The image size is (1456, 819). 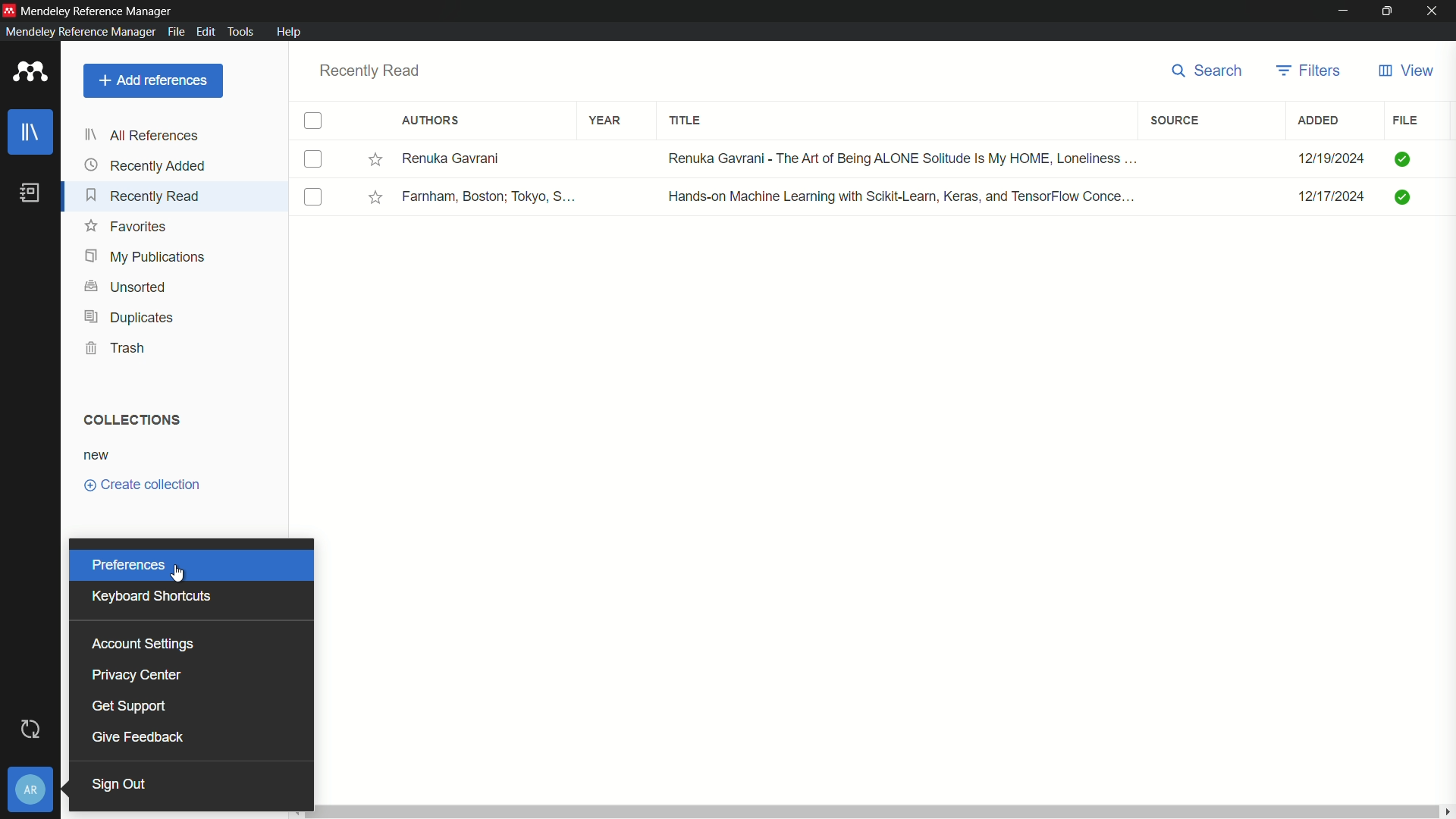 What do you see at coordinates (314, 158) in the screenshot?
I see `(un)select` at bounding box center [314, 158].